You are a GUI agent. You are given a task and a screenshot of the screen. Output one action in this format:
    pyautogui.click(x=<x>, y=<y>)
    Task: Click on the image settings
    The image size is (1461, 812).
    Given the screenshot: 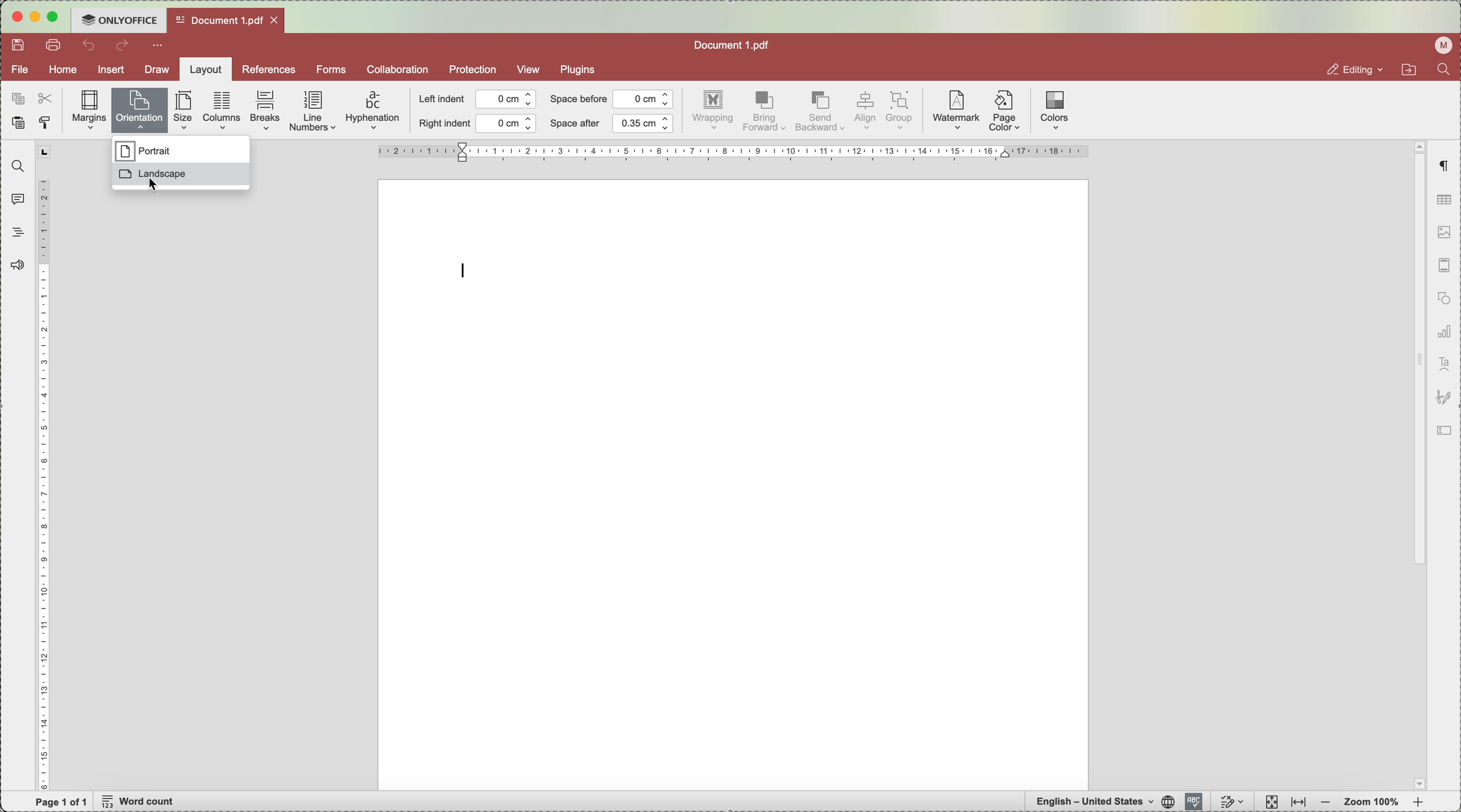 What is the action you would take?
    pyautogui.click(x=1443, y=234)
    